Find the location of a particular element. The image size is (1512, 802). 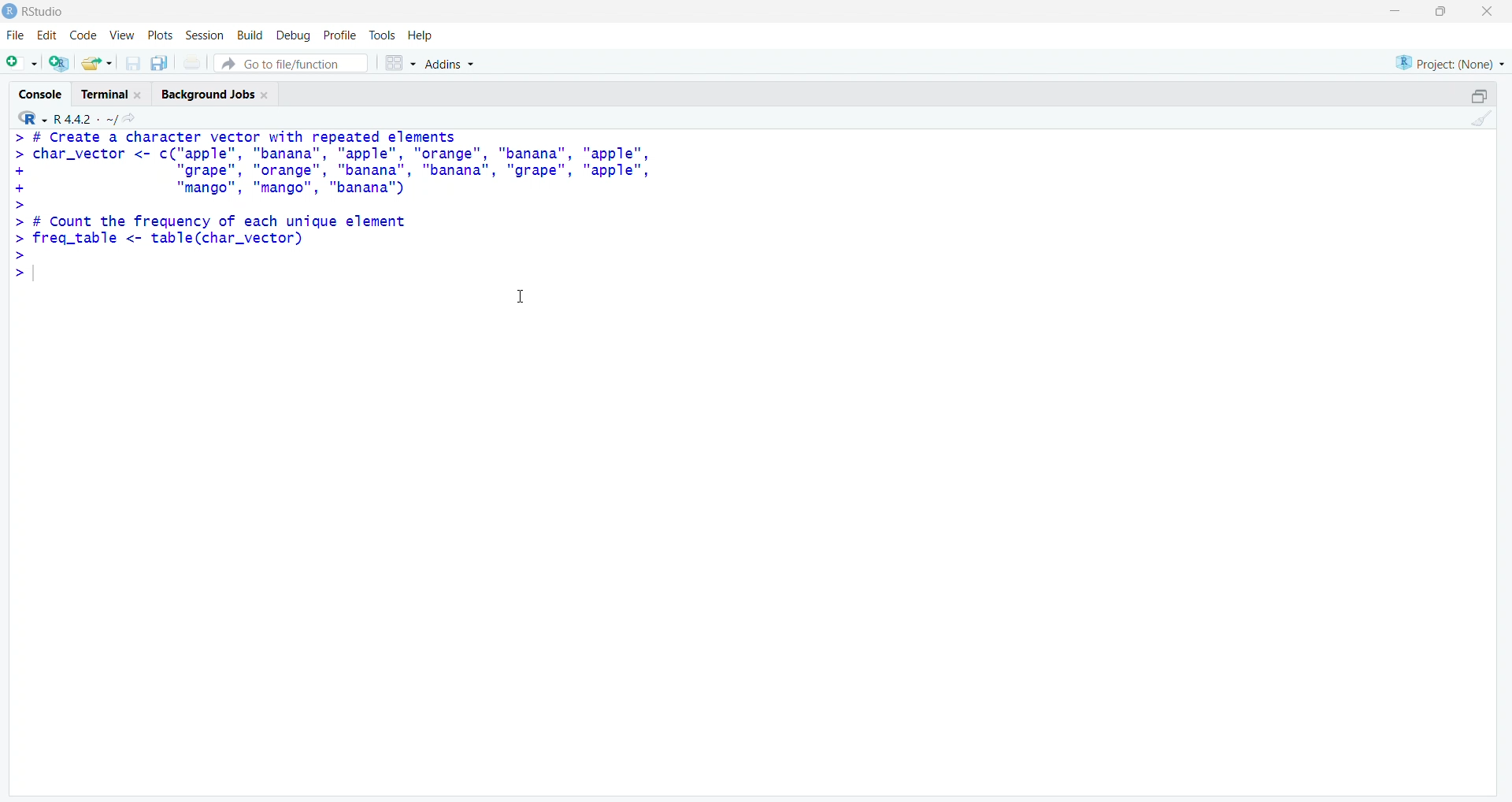

> # Create a character vector with repeated elements

> char_vector <- c("apple", "banana", "apple", "orange", "banana", "apple",
+ "grape", "orange", "banana", "banana", "grape", "apple",
+ "mango", "mango", "banana'")

>

> # Count the frequency of each unique element

> freq_table <- table(char_vector)

>

>| is located at coordinates (364, 205).